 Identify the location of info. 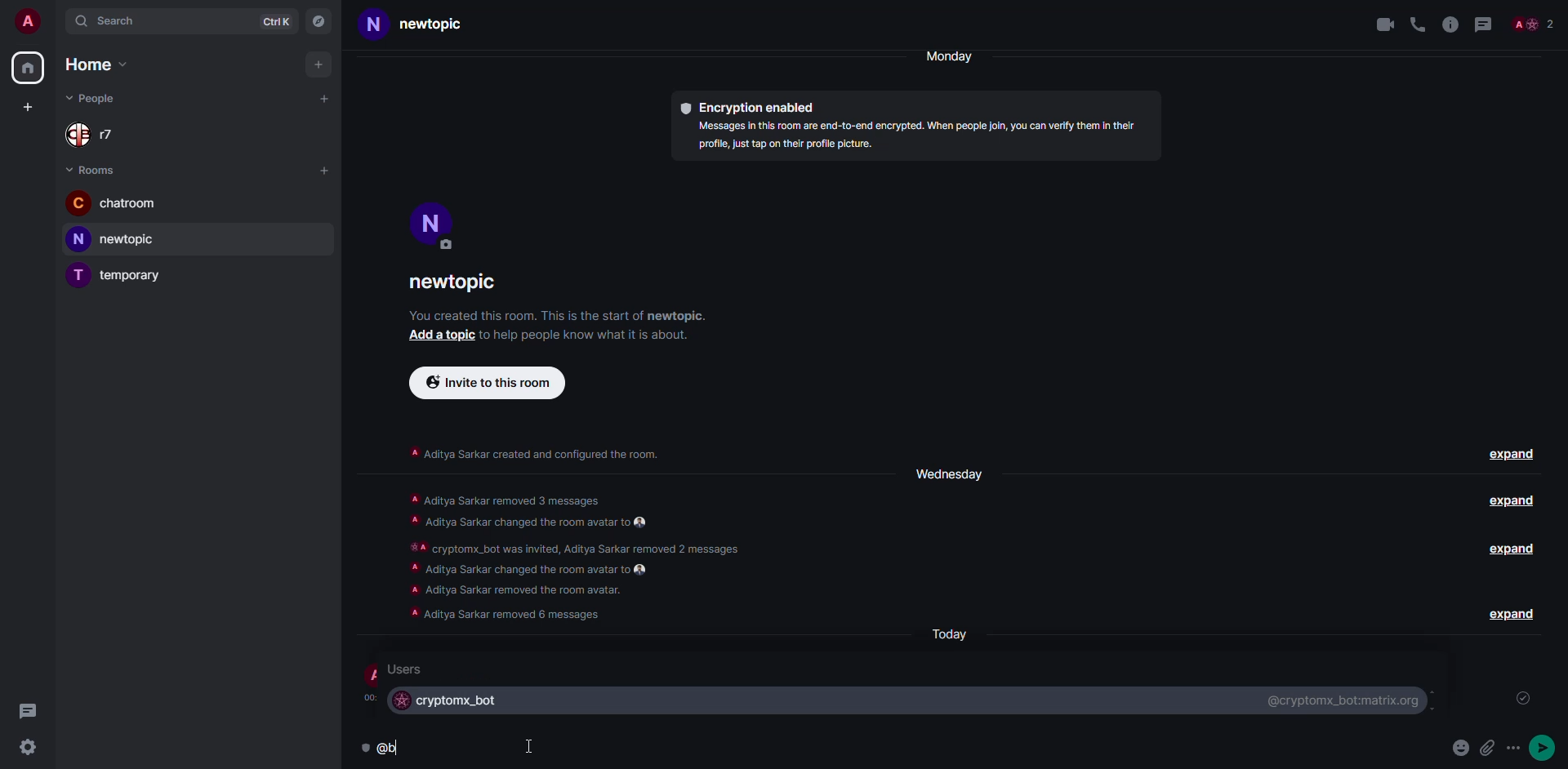
(921, 137).